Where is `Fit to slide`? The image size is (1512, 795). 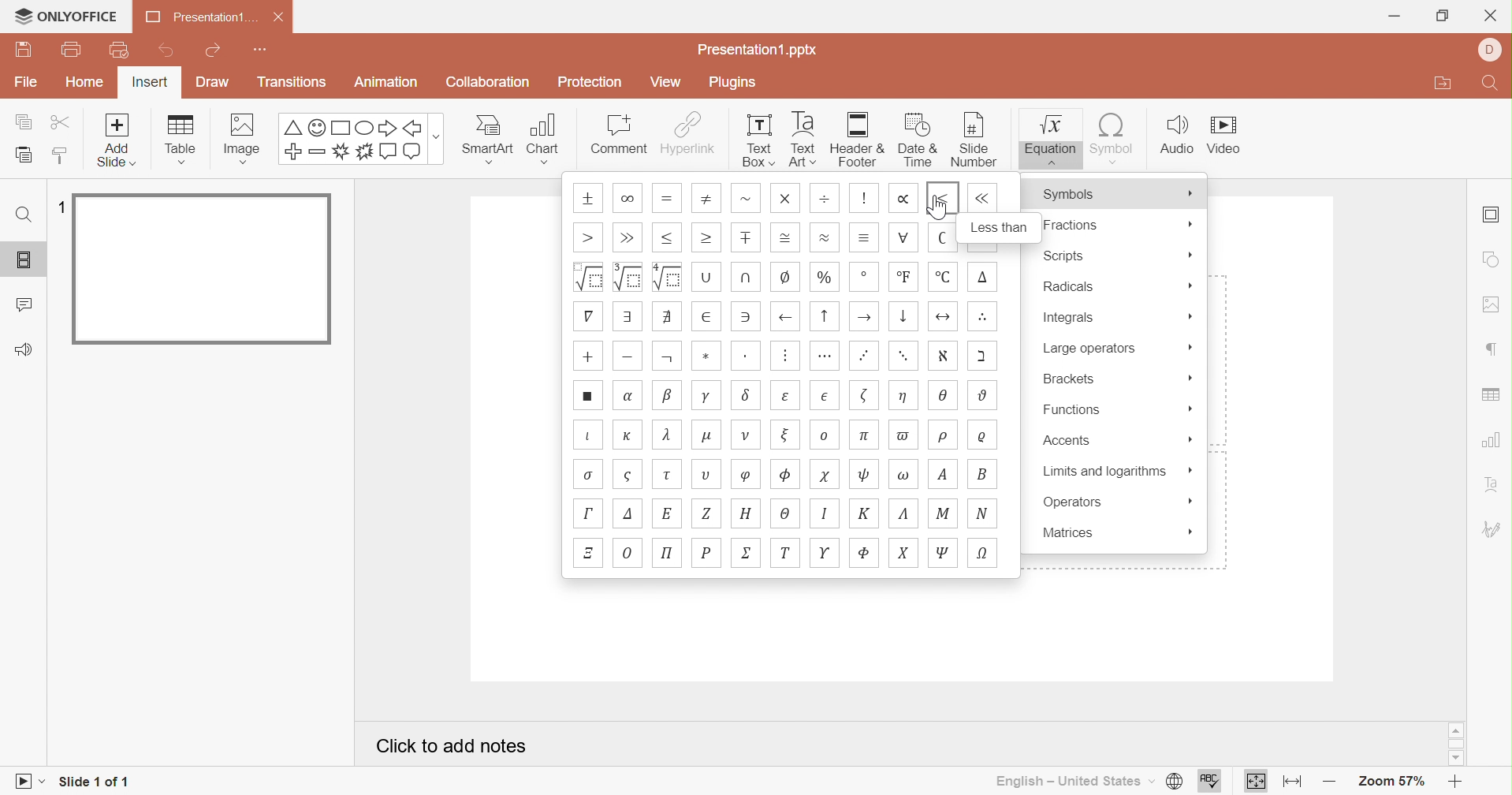
Fit to slide is located at coordinates (1256, 781).